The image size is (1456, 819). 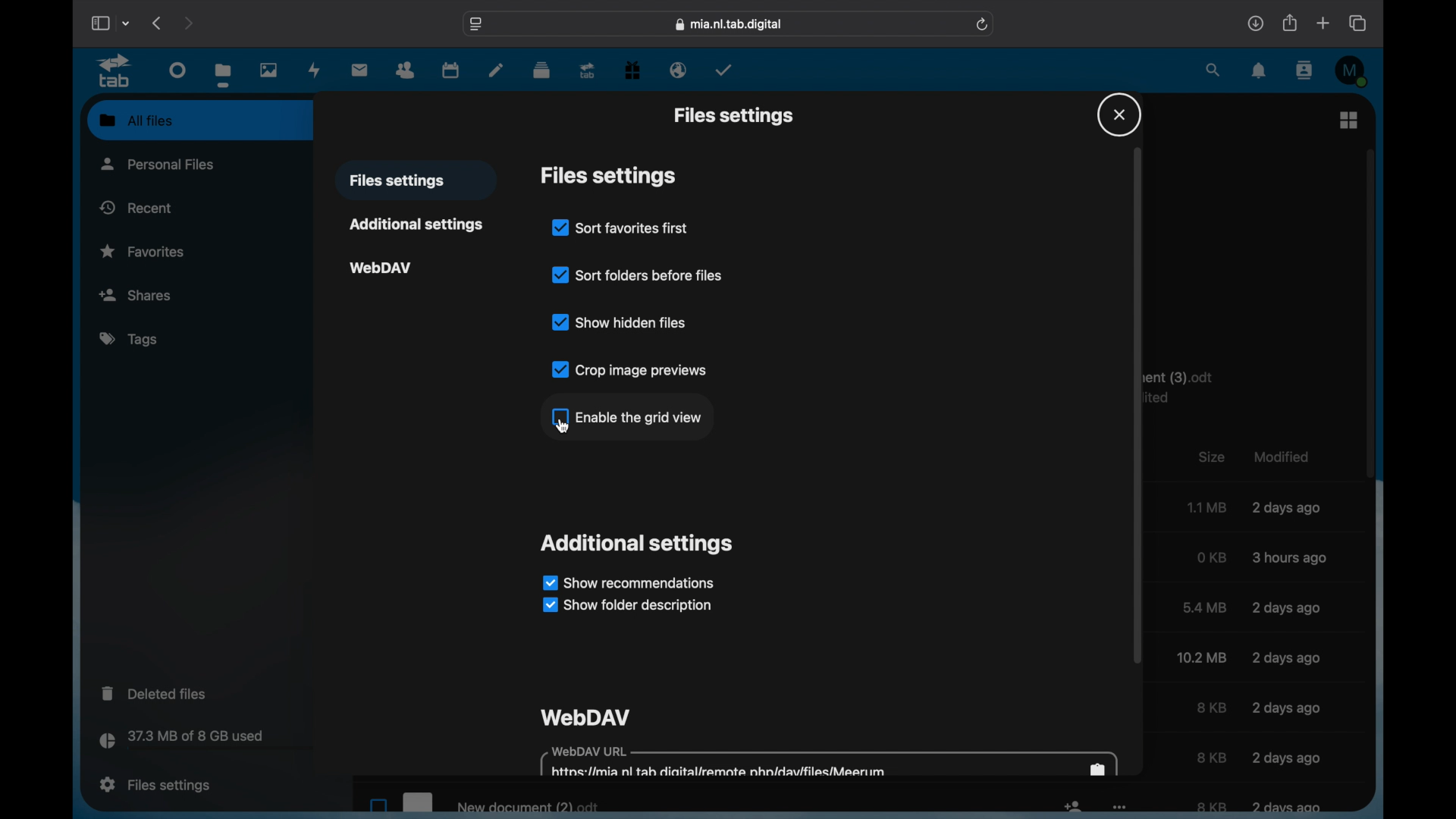 I want to click on photos, so click(x=269, y=71).